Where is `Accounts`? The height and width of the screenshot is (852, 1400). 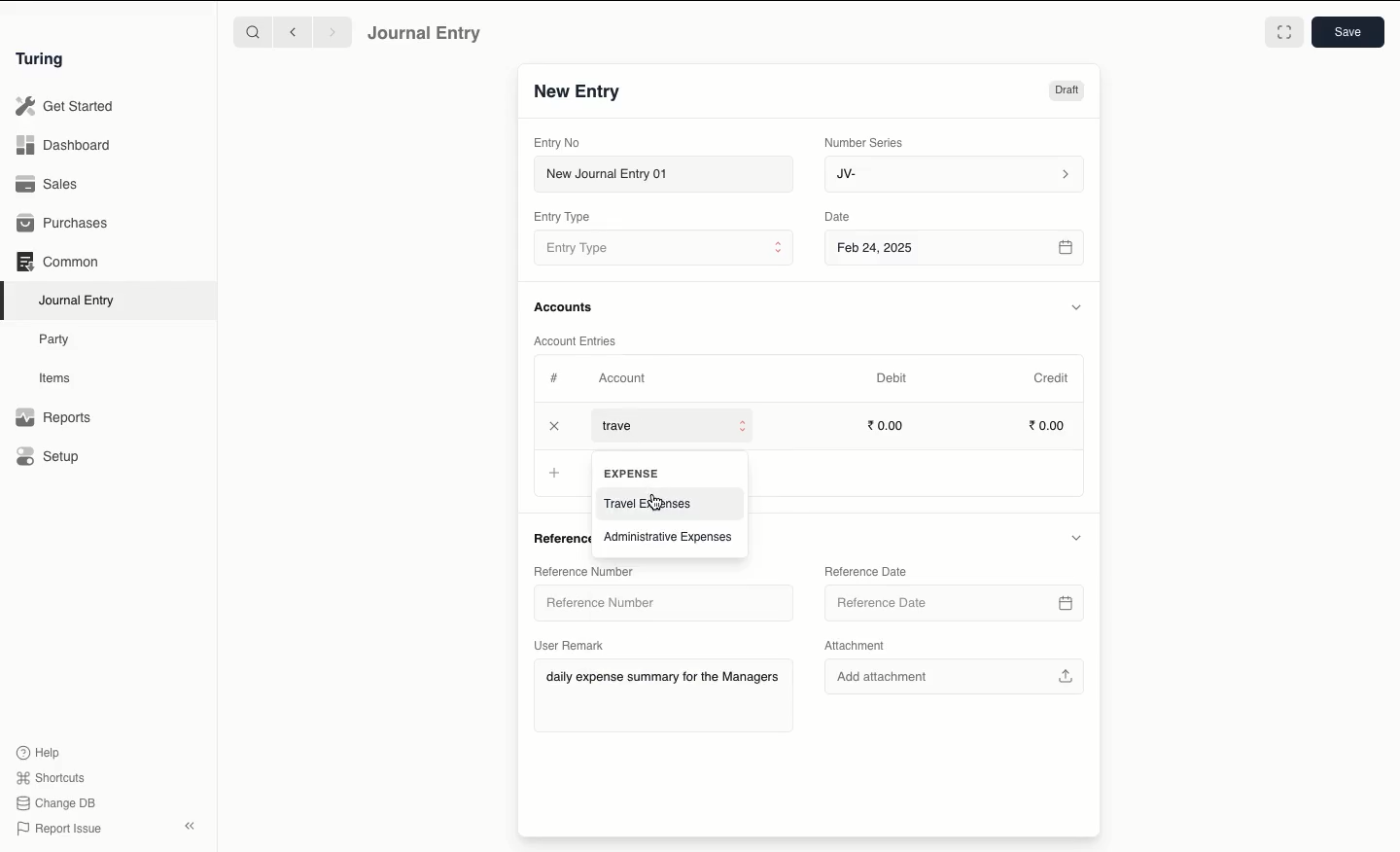 Accounts is located at coordinates (565, 307).